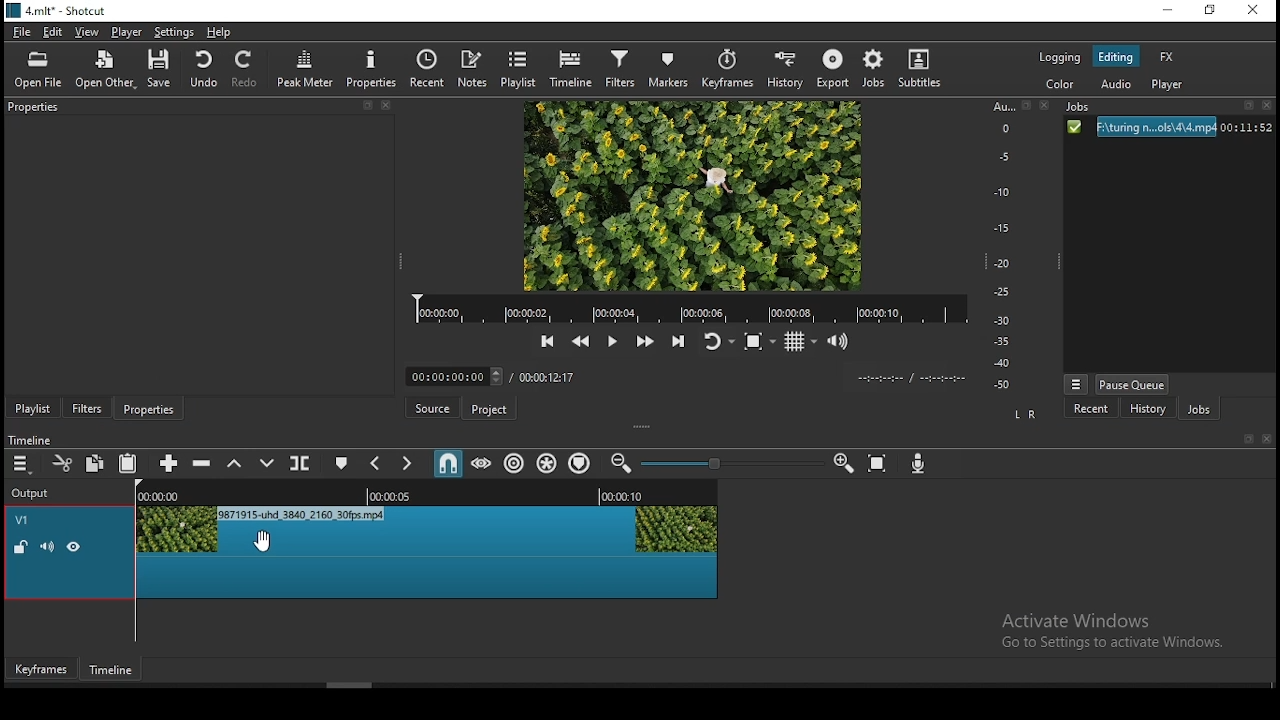  What do you see at coordinates (580, 342) in the screenshot?
I see `play quickly backwards` at bounding box center [580, 342].